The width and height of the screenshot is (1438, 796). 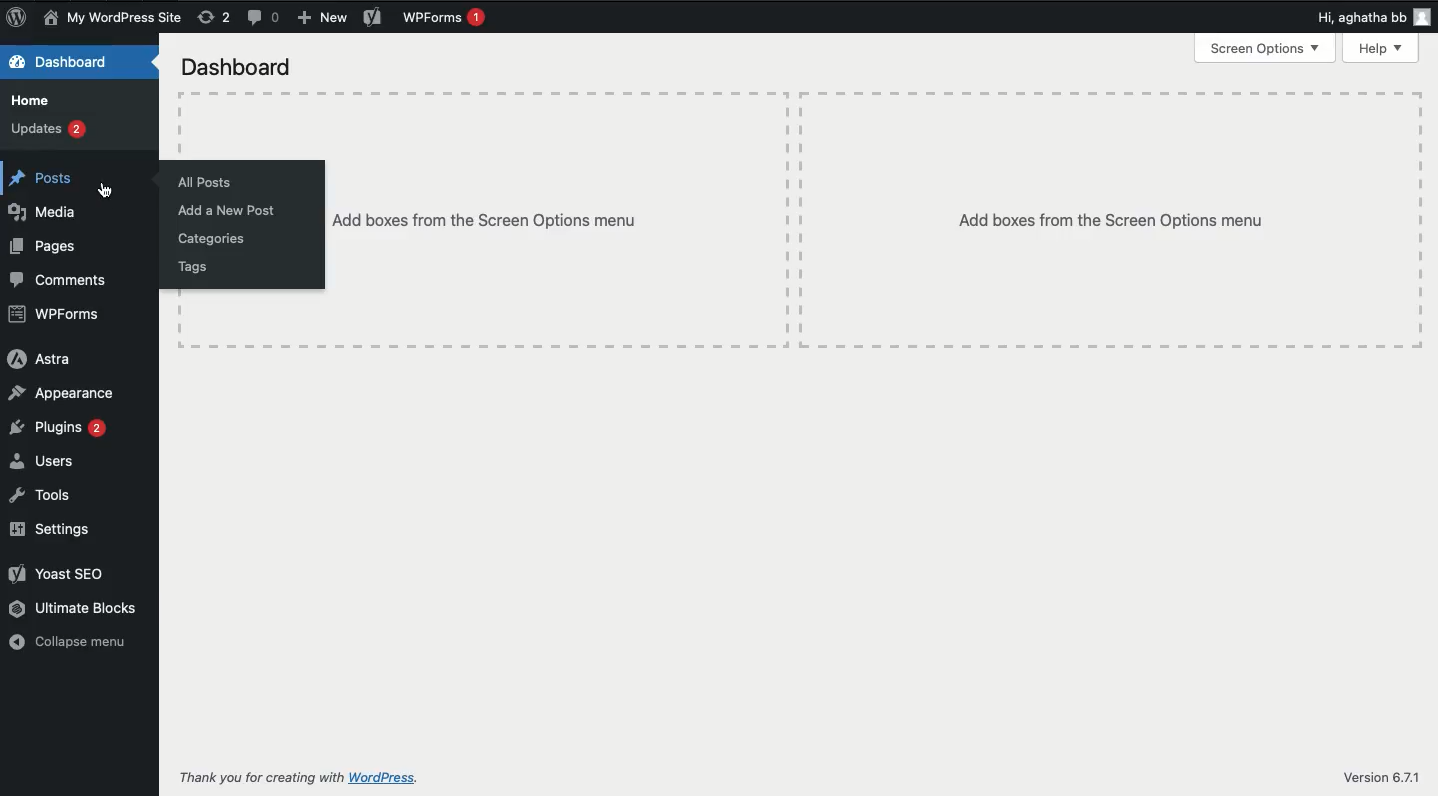 What do you see at coordinates (195, 266) in the screenshot?
I see `Tags` at bounding box center [195, 266].